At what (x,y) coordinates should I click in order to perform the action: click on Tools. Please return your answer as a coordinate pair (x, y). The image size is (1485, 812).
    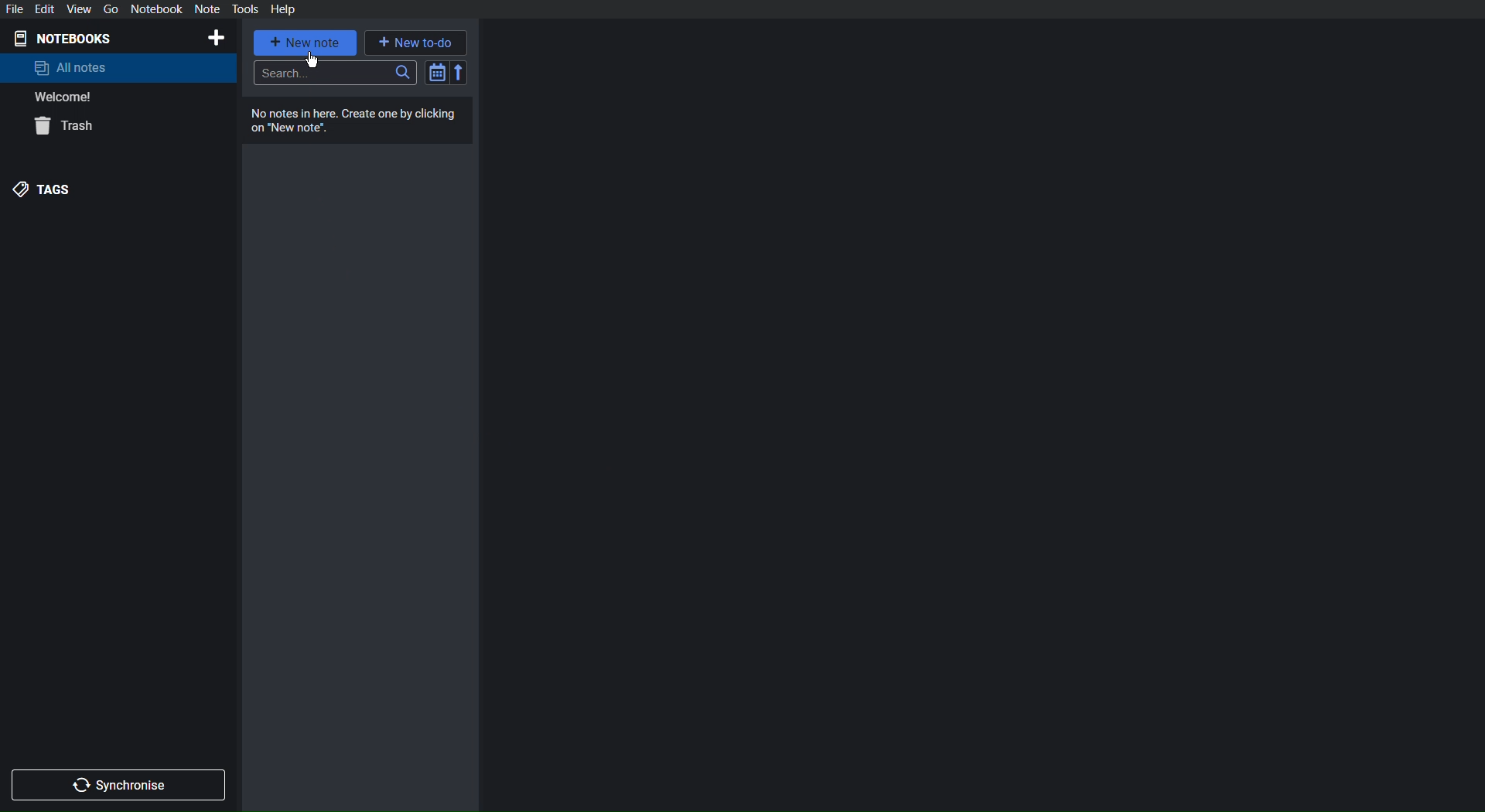
    Looking at the image, I should click on (246, 9).